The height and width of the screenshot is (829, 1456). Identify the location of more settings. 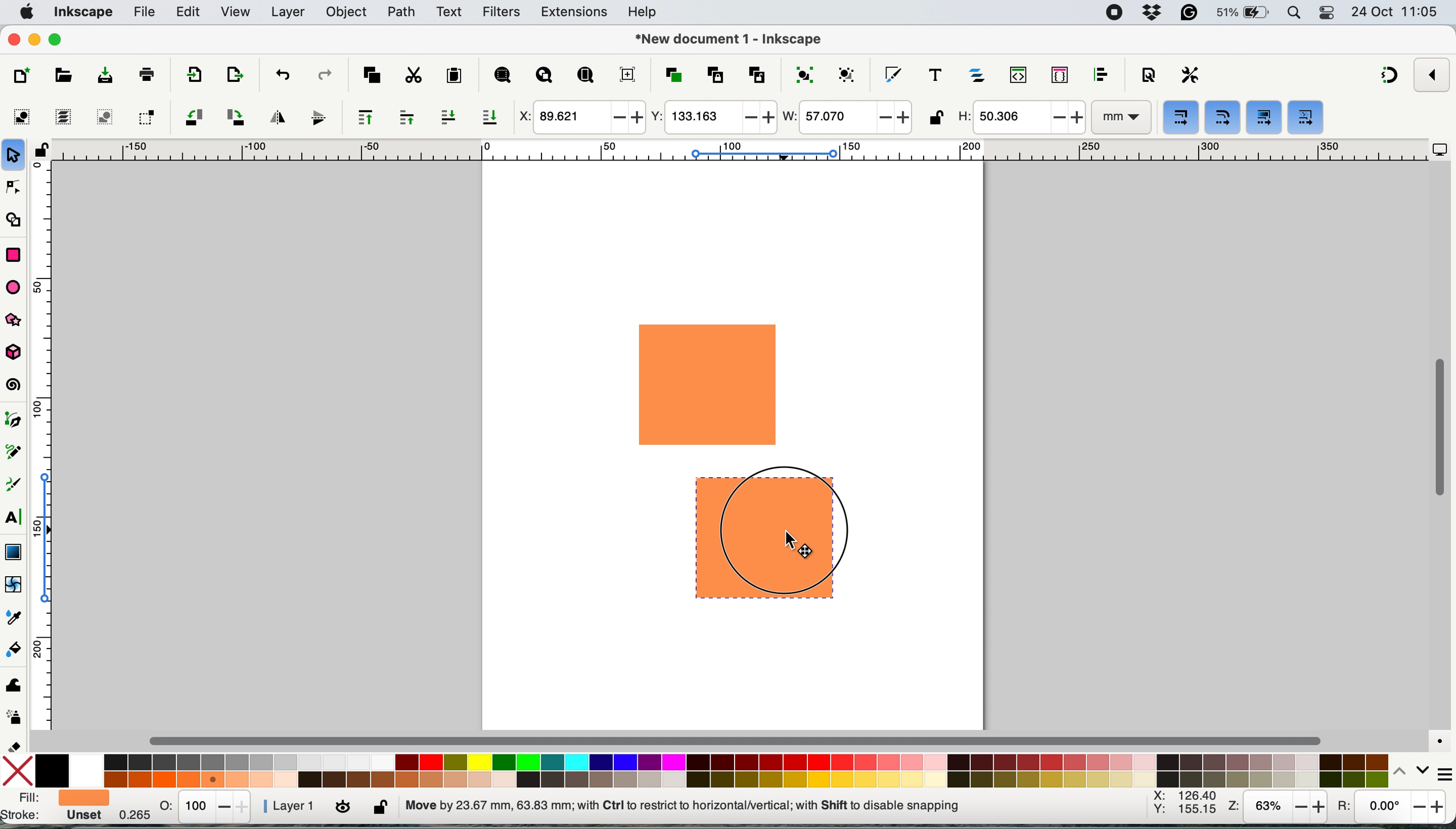
(1438, 771).